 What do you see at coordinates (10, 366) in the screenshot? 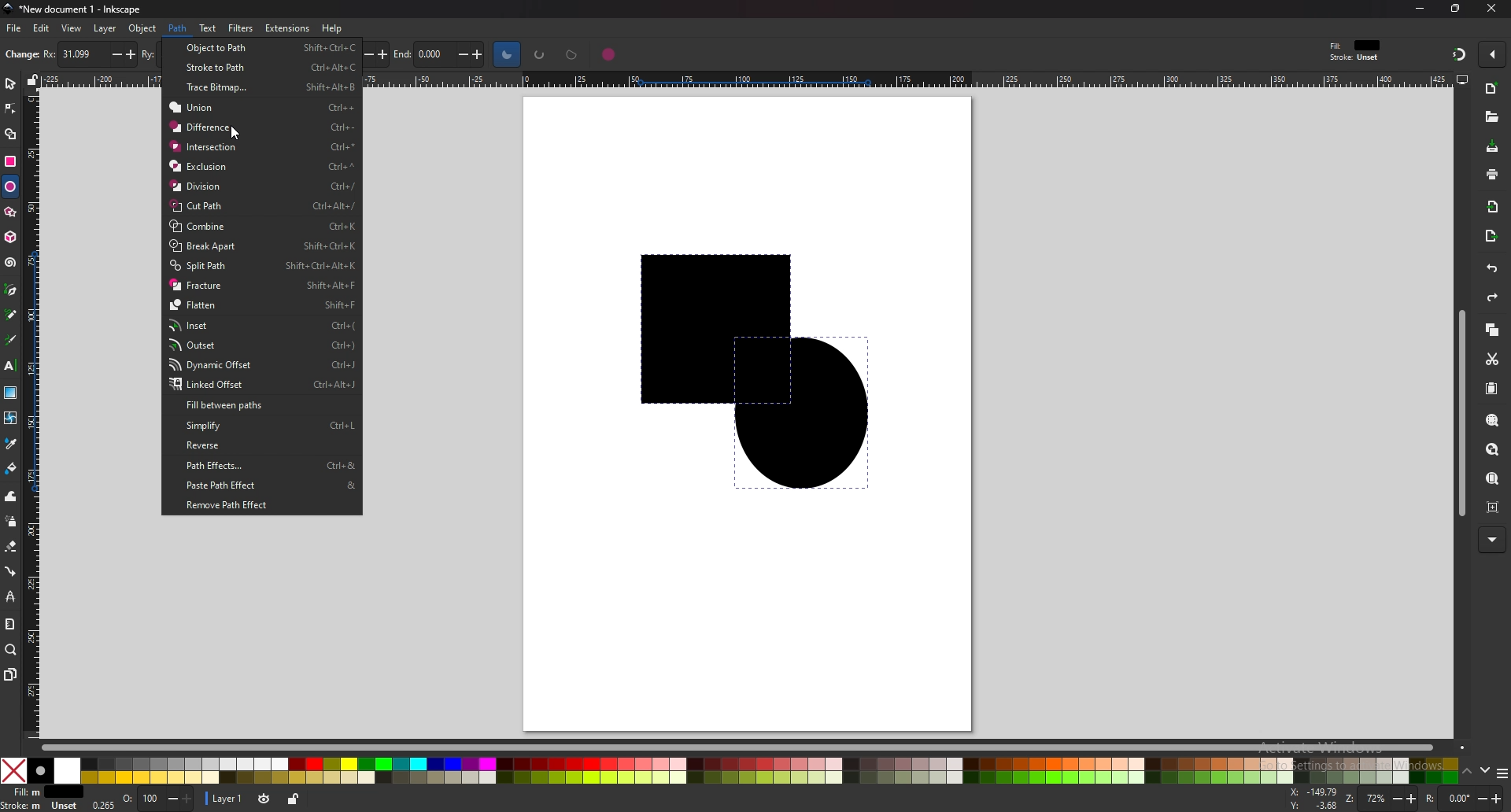
I see `text` at bounding box center [10, 366].